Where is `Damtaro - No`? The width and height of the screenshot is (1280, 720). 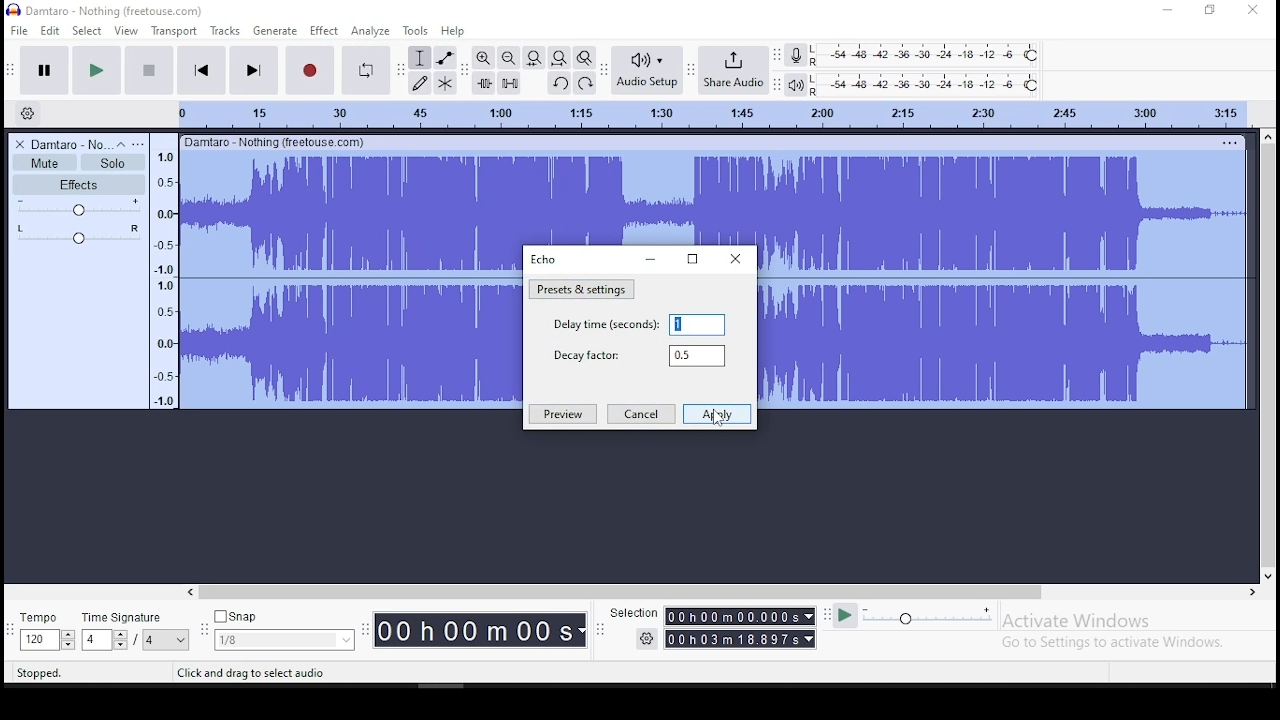 Damtaro - No is located at coordinates (71, 143).